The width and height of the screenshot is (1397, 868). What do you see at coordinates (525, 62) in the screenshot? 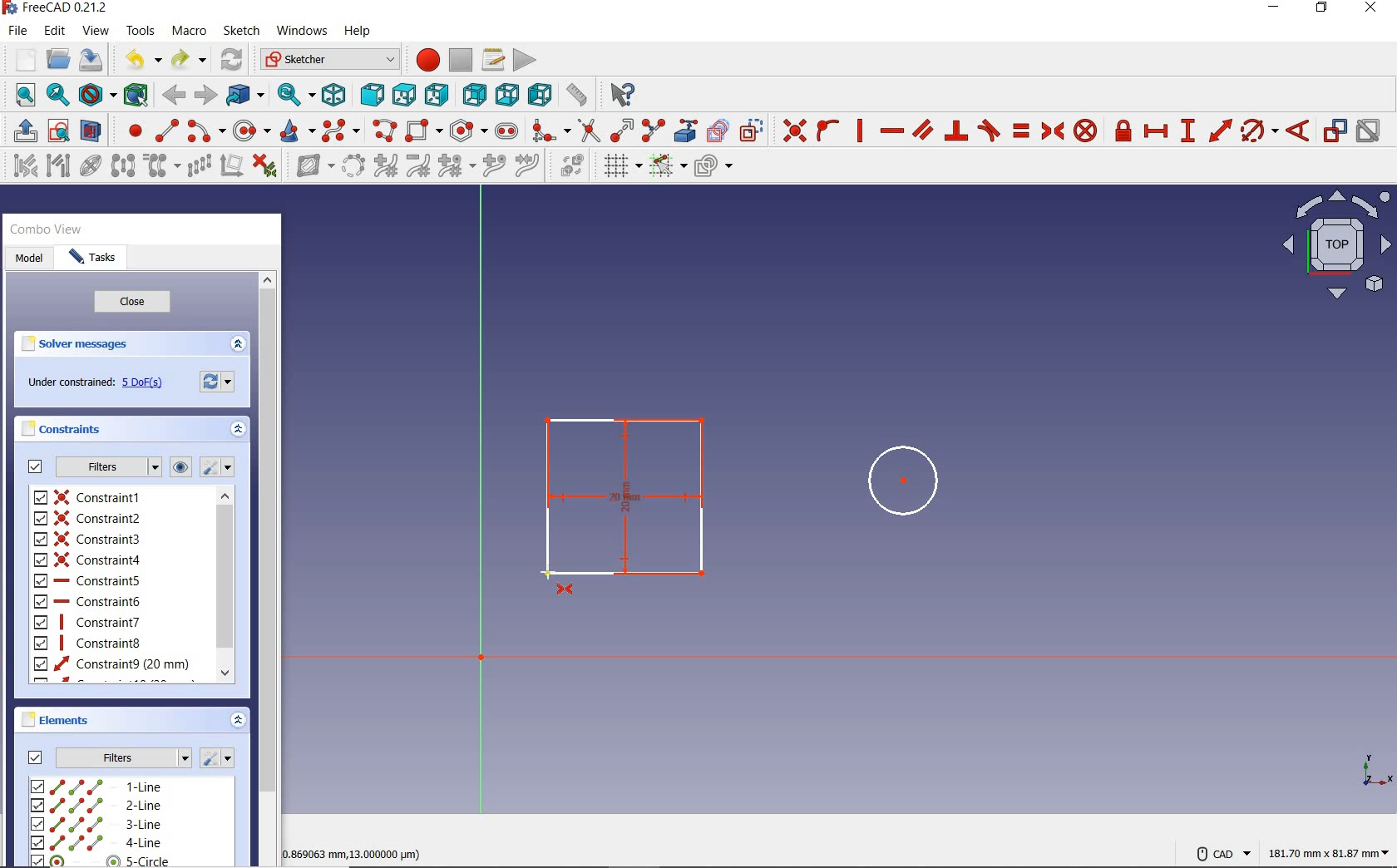
I see `execute macro` at bounding box center [525, 62].